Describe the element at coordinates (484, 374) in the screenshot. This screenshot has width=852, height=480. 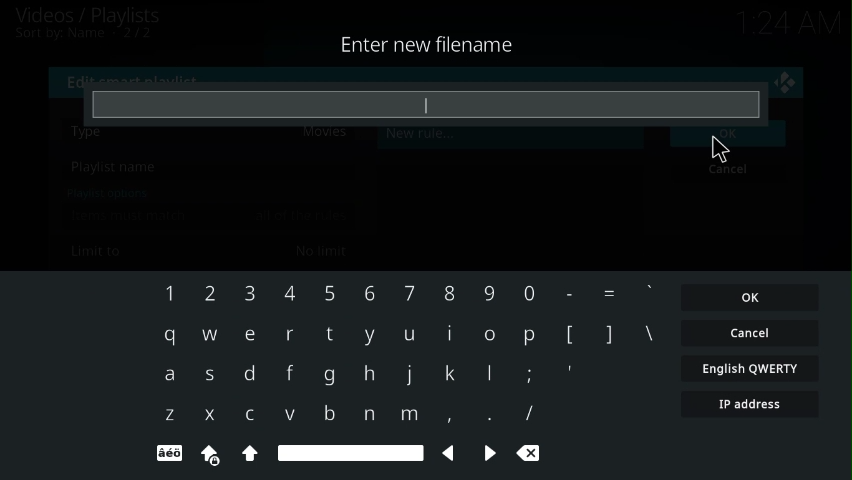
I see `l` at that location.